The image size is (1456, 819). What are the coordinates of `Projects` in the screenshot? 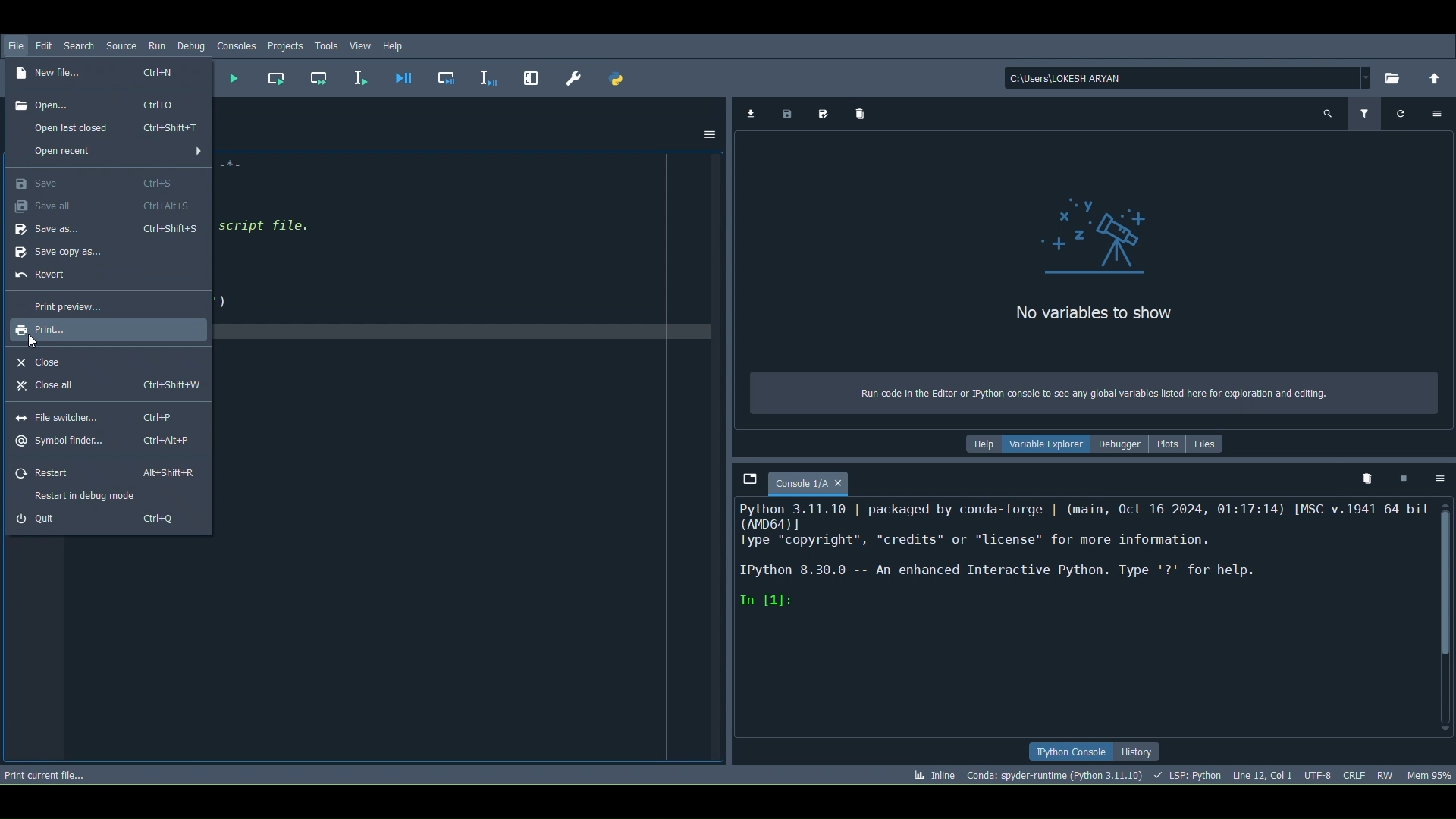 It's located at (285, 47).